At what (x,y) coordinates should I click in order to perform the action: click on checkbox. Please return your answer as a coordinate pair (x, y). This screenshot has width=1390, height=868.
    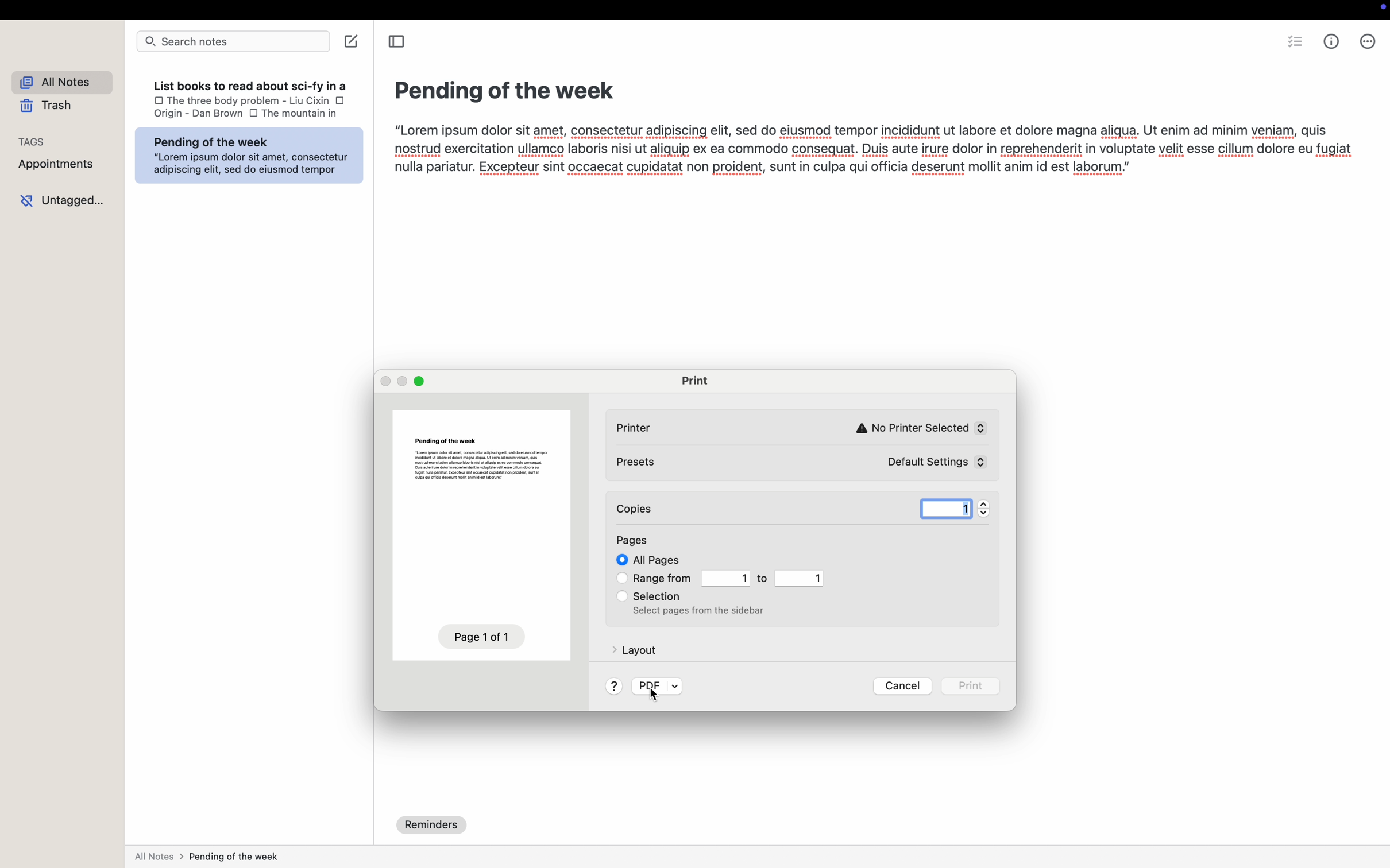
    Looking at the image, I should click on (620, 595).